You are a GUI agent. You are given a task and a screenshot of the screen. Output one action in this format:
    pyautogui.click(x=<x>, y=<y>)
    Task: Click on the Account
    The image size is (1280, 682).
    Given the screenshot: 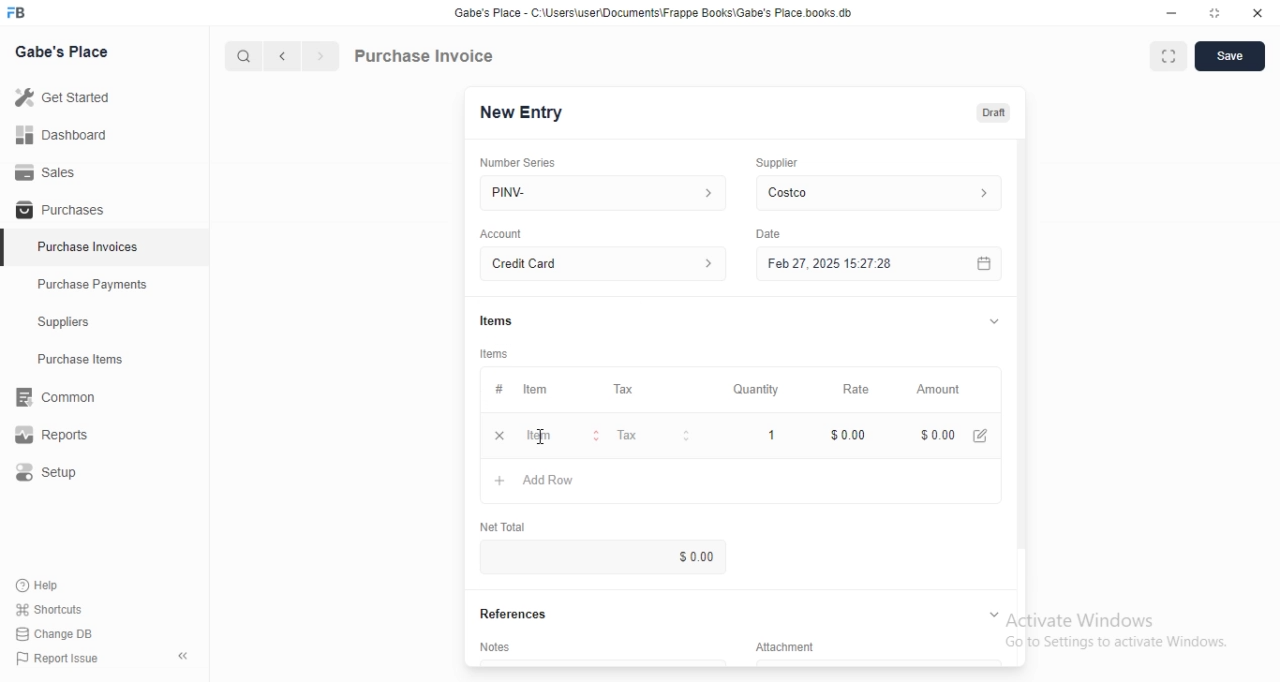 What is the action you would take?
    pyautogui.click(x=501, y=234)
    